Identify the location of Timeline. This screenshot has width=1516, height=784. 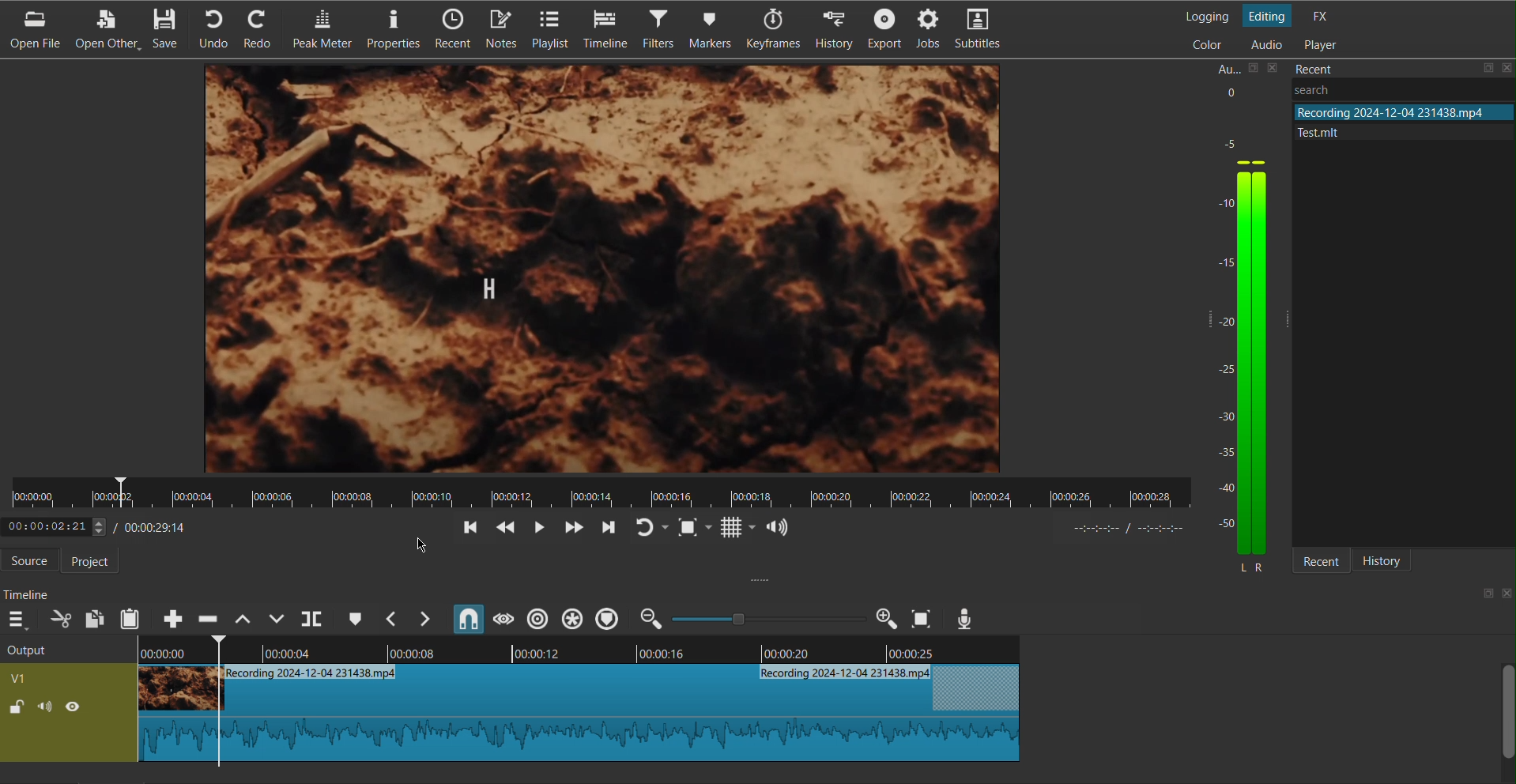
(579, 650).